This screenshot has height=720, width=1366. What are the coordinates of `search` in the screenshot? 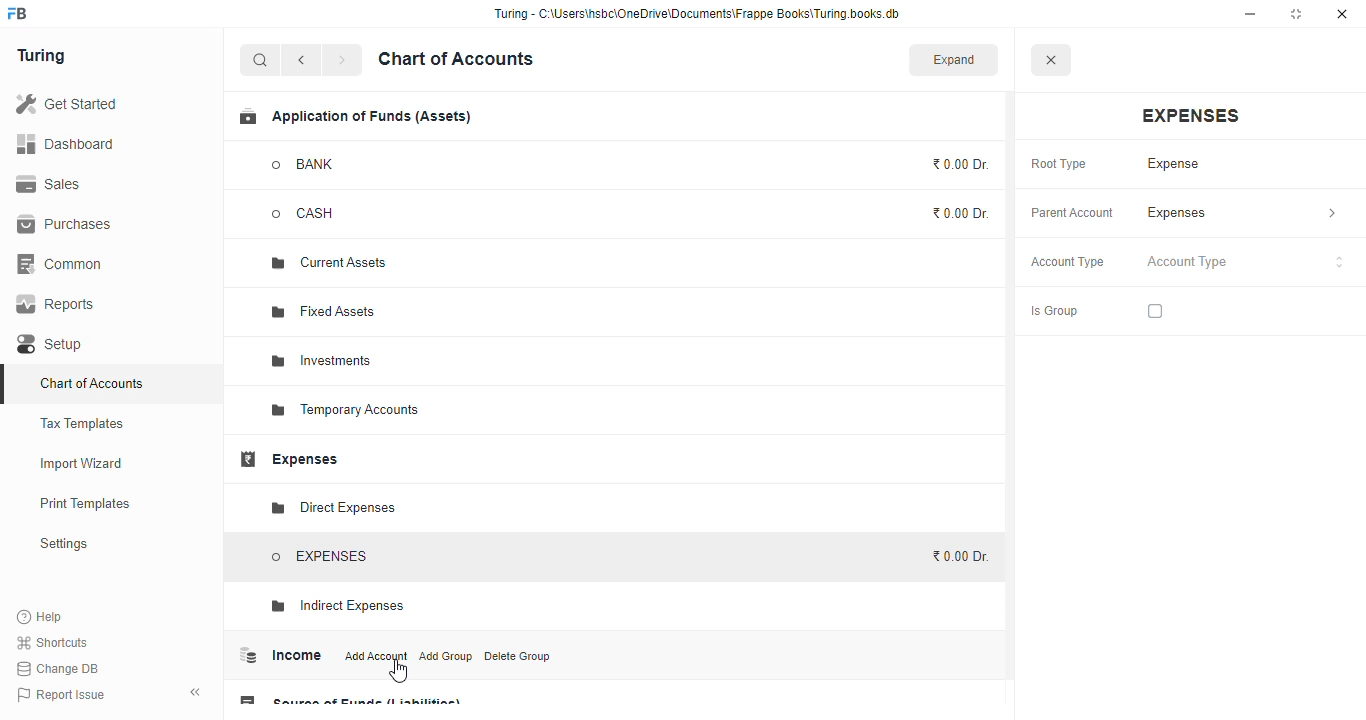 It's located at (261, 60).